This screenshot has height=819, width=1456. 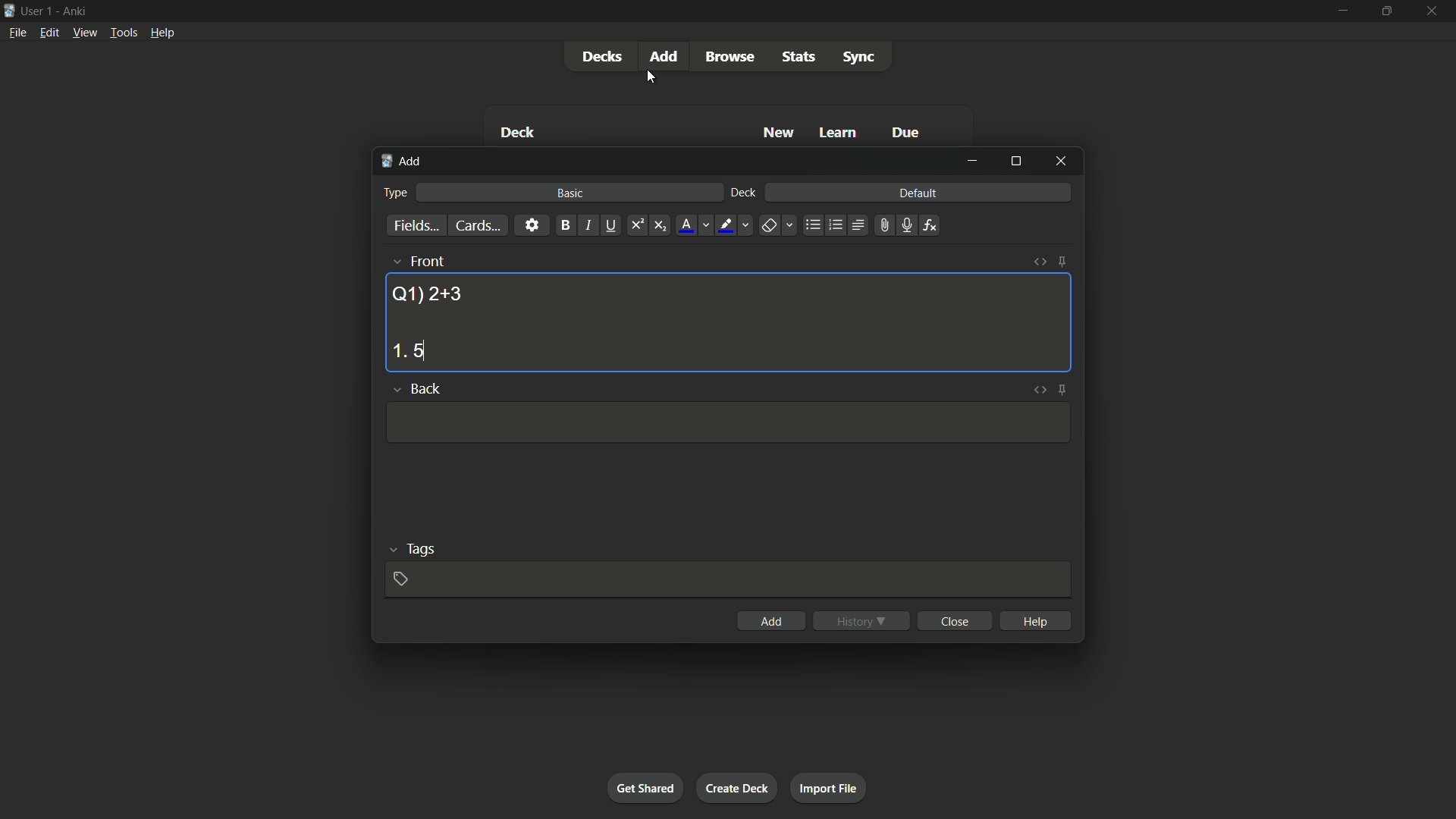 I want to click on toggle html editor, so click(x=1040, y=390).